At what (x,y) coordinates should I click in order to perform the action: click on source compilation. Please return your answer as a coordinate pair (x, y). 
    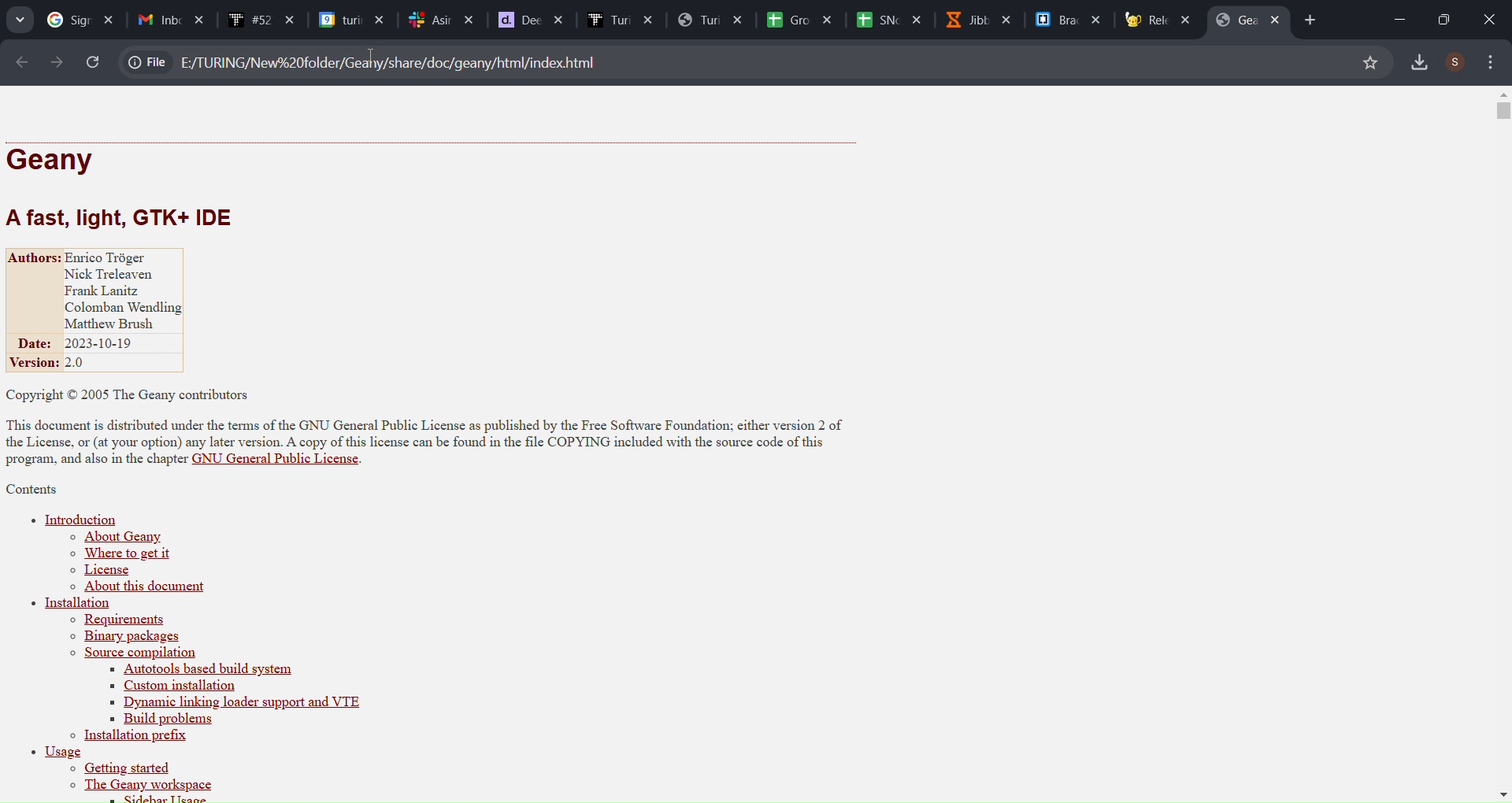
    Looking at the image, I should click on (132, 654).